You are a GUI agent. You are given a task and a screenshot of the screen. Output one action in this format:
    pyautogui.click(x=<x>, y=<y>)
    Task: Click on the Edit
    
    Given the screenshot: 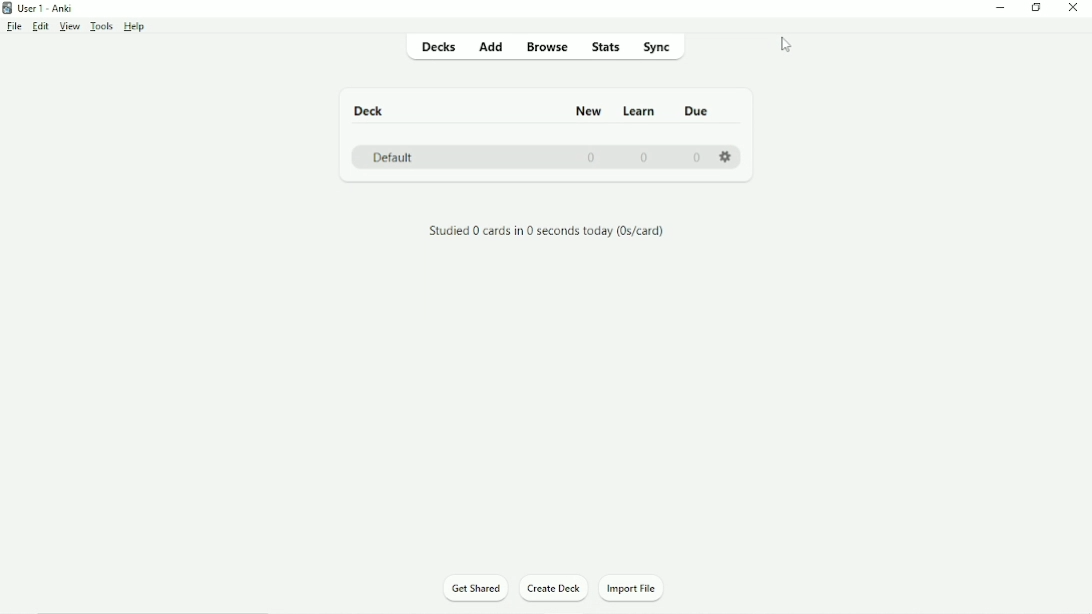 What is the action you would take?
    pyautogui.click(x=40, y=26)
    